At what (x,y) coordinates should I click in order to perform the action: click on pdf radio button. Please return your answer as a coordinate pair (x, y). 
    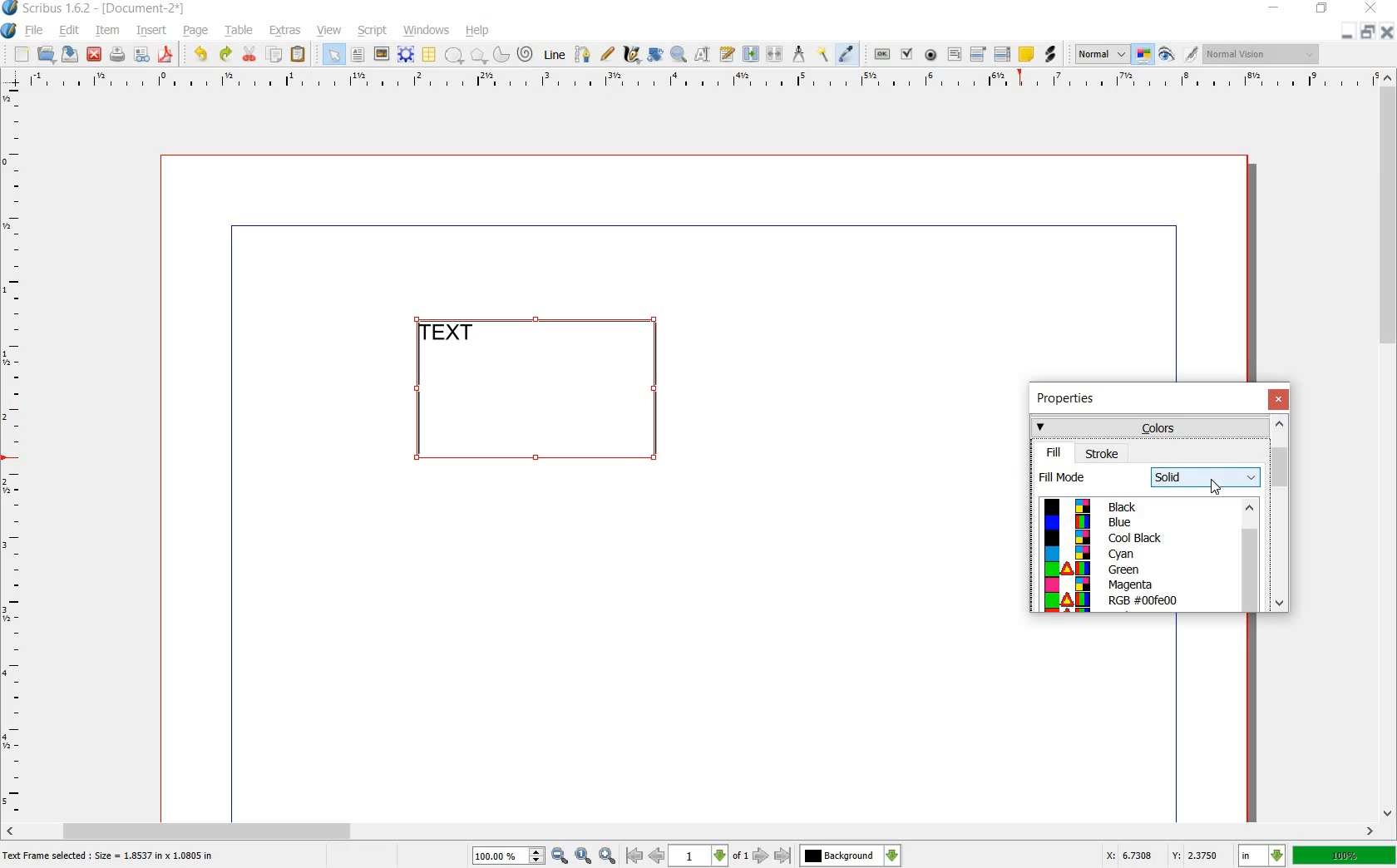
    Looking at the image, I should click on (931, 55).